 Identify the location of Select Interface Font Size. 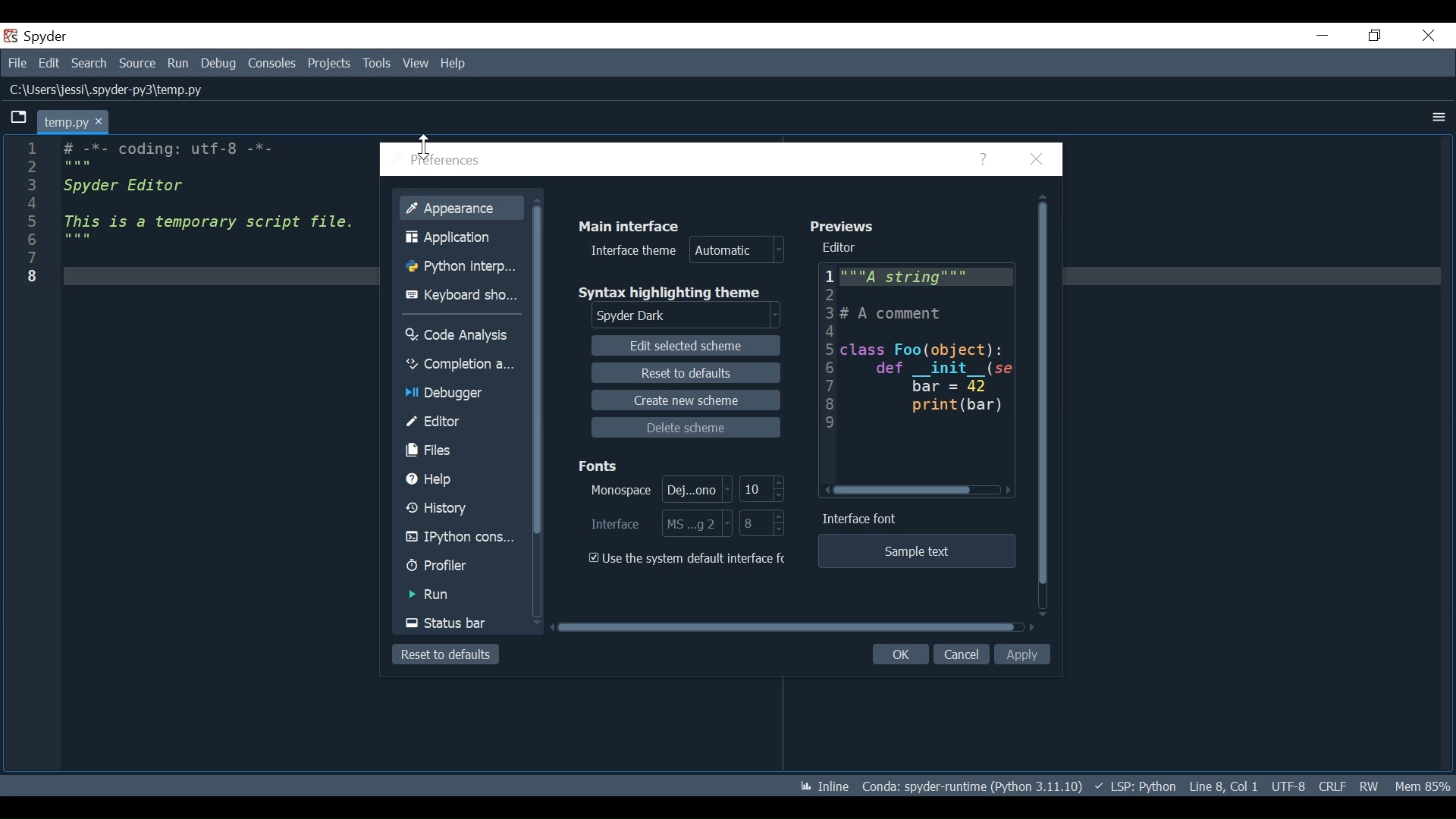
(658, 523).